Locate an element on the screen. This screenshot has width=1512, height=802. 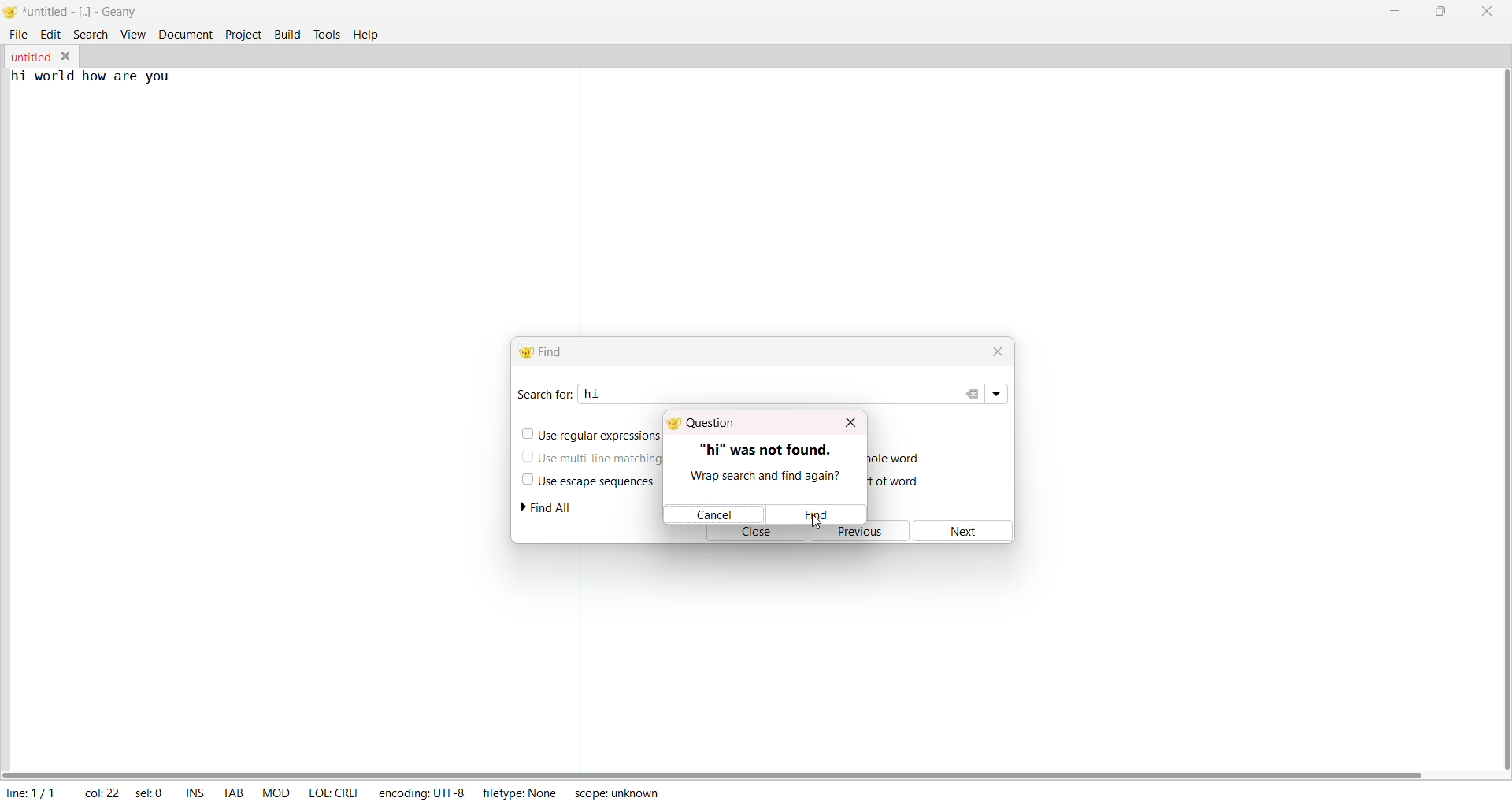
encoding: utf-8 is located at coordinates (420, 791).